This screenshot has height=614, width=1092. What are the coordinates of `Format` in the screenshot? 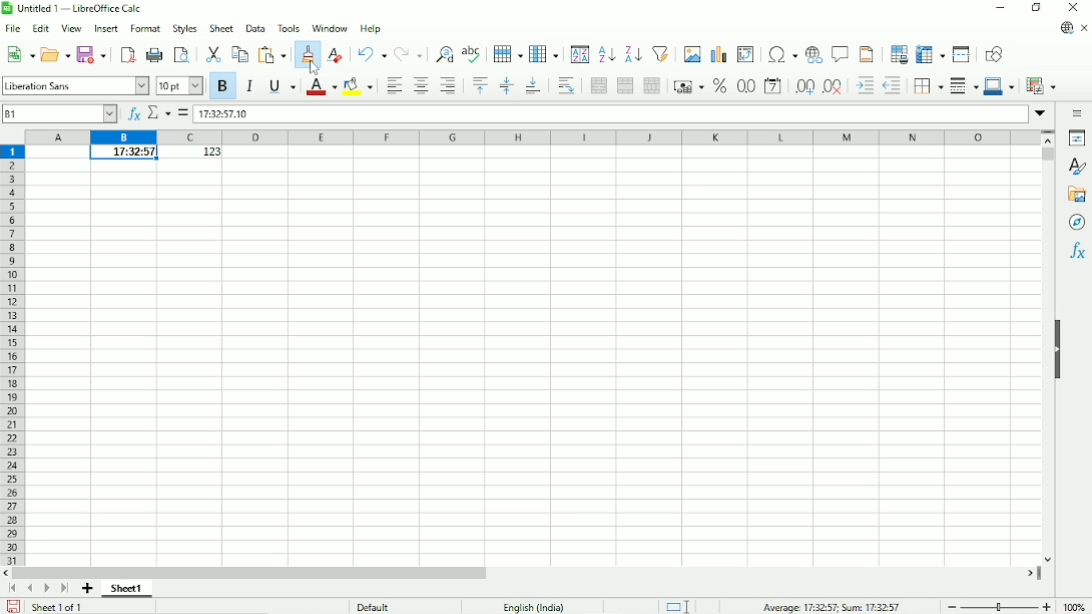 It's located at (144, 30).